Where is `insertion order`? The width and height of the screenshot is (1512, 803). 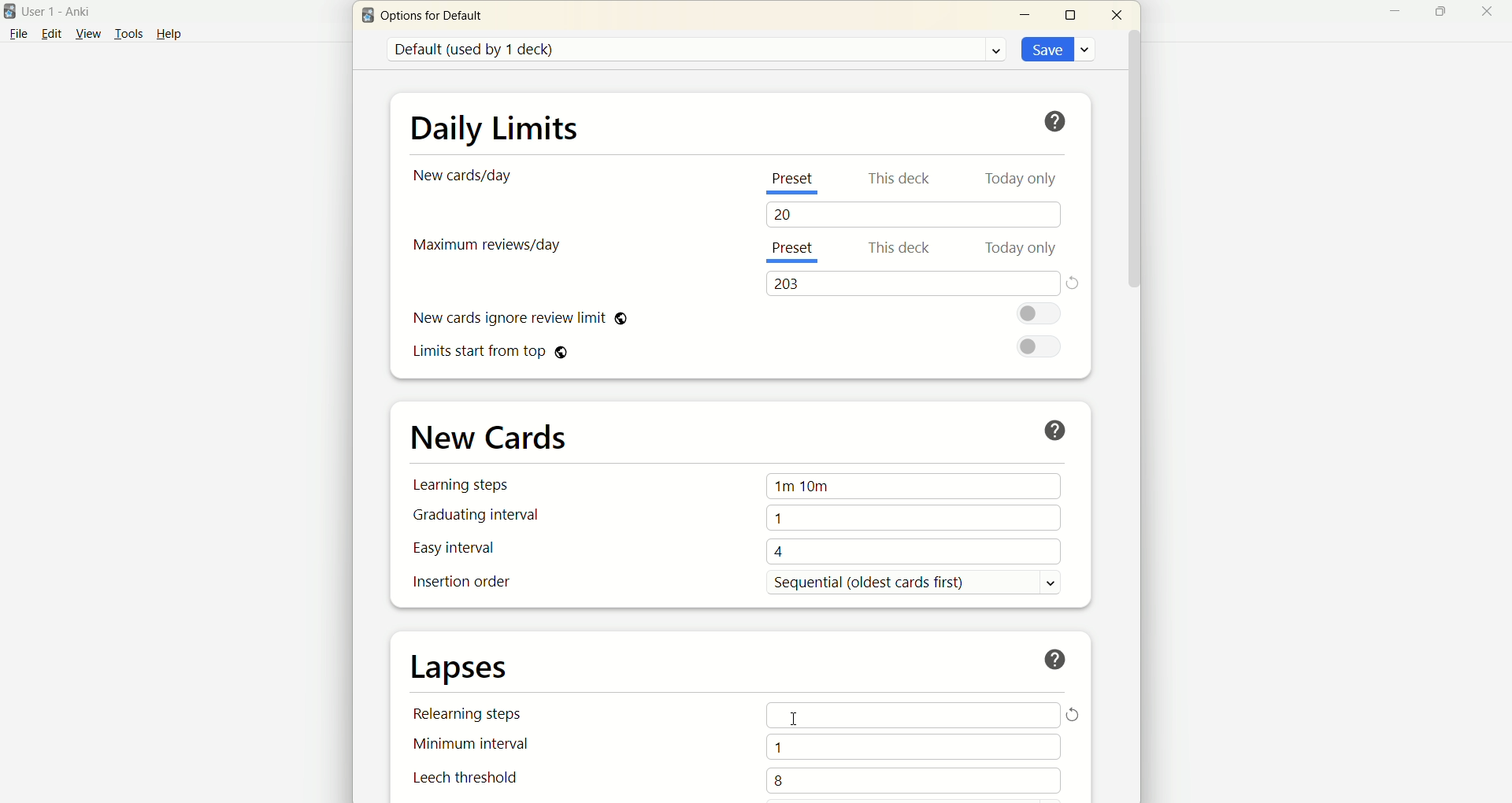
insertion order is located at coordinates (460, 583).